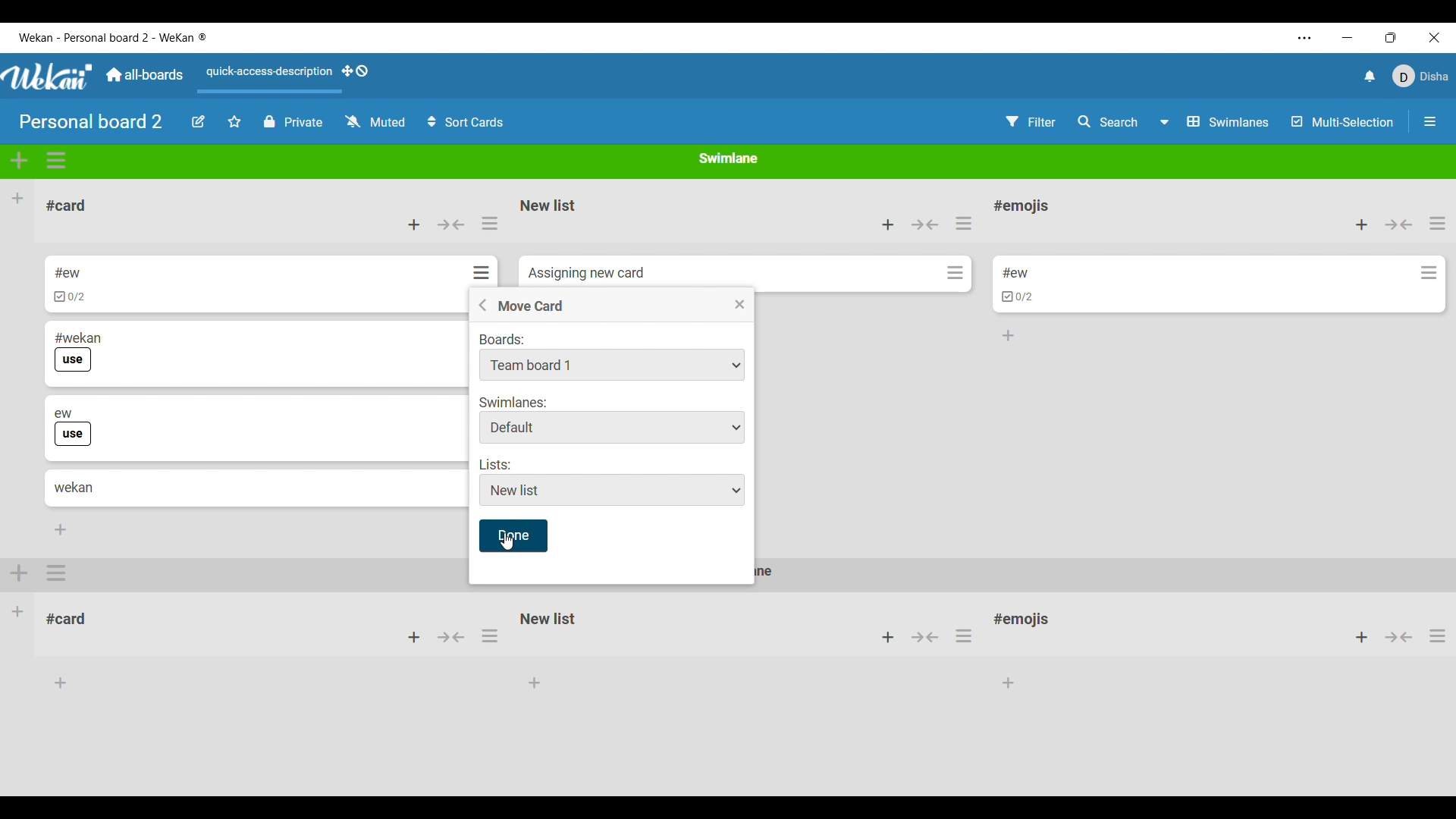 The image size is (1456, 819). I want to click on Add swimlane, so click(20, 160).